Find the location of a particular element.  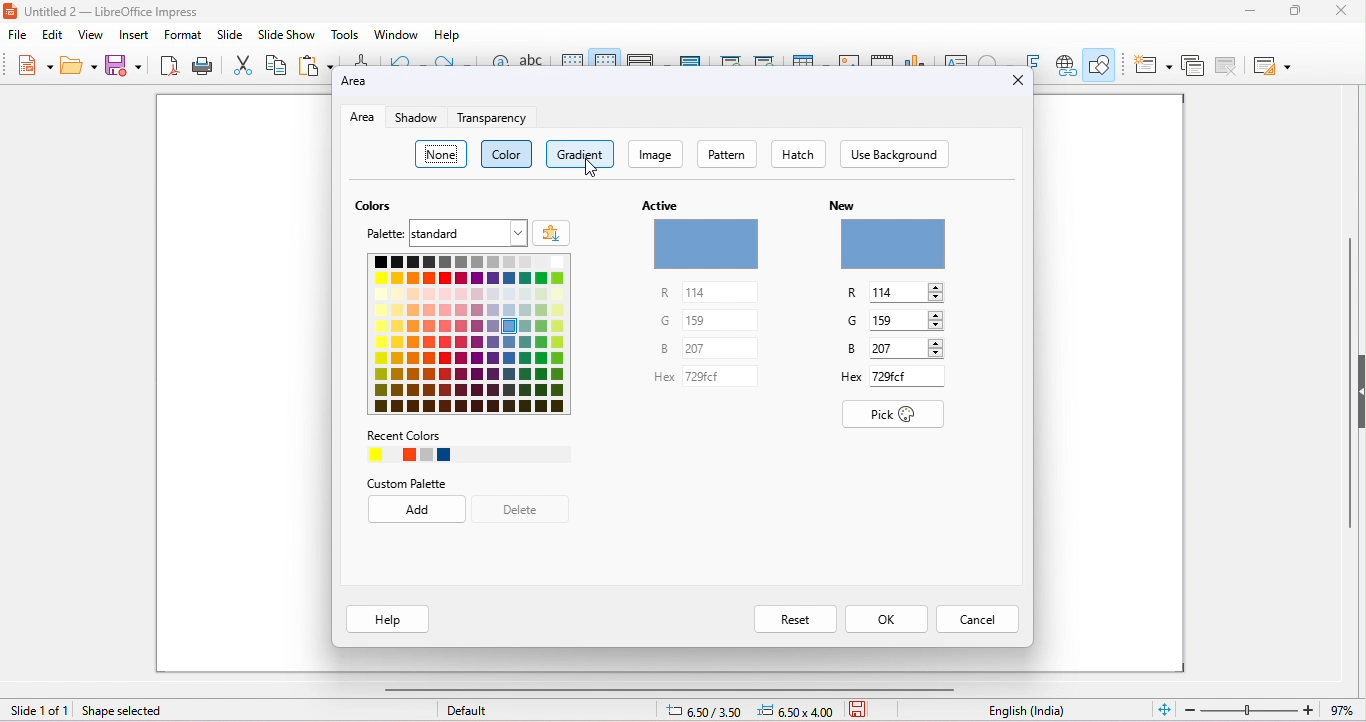

format is located at coordinates (183, 35).